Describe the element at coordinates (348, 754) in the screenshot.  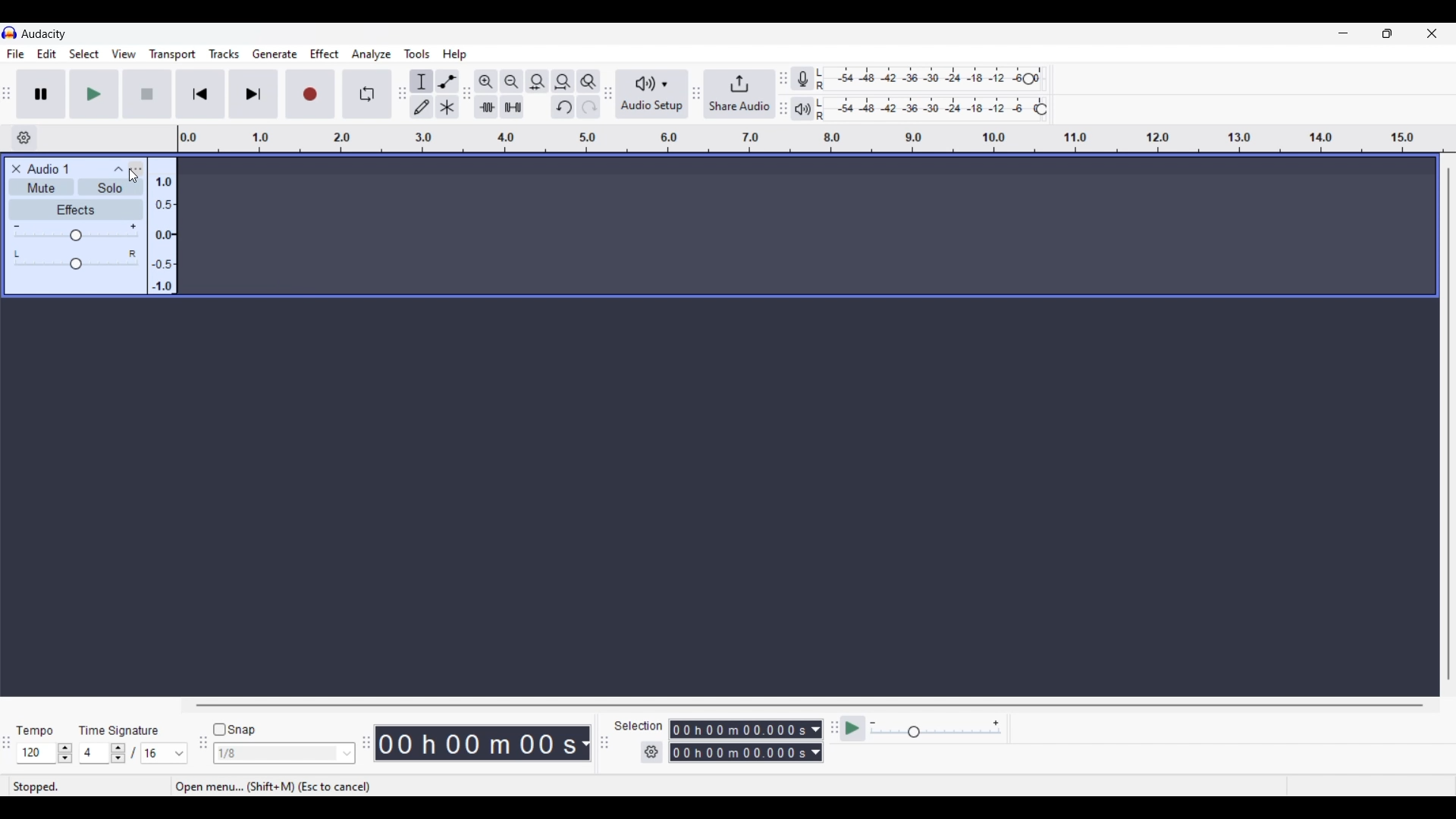
I see `Snap options to choose from` at that location.